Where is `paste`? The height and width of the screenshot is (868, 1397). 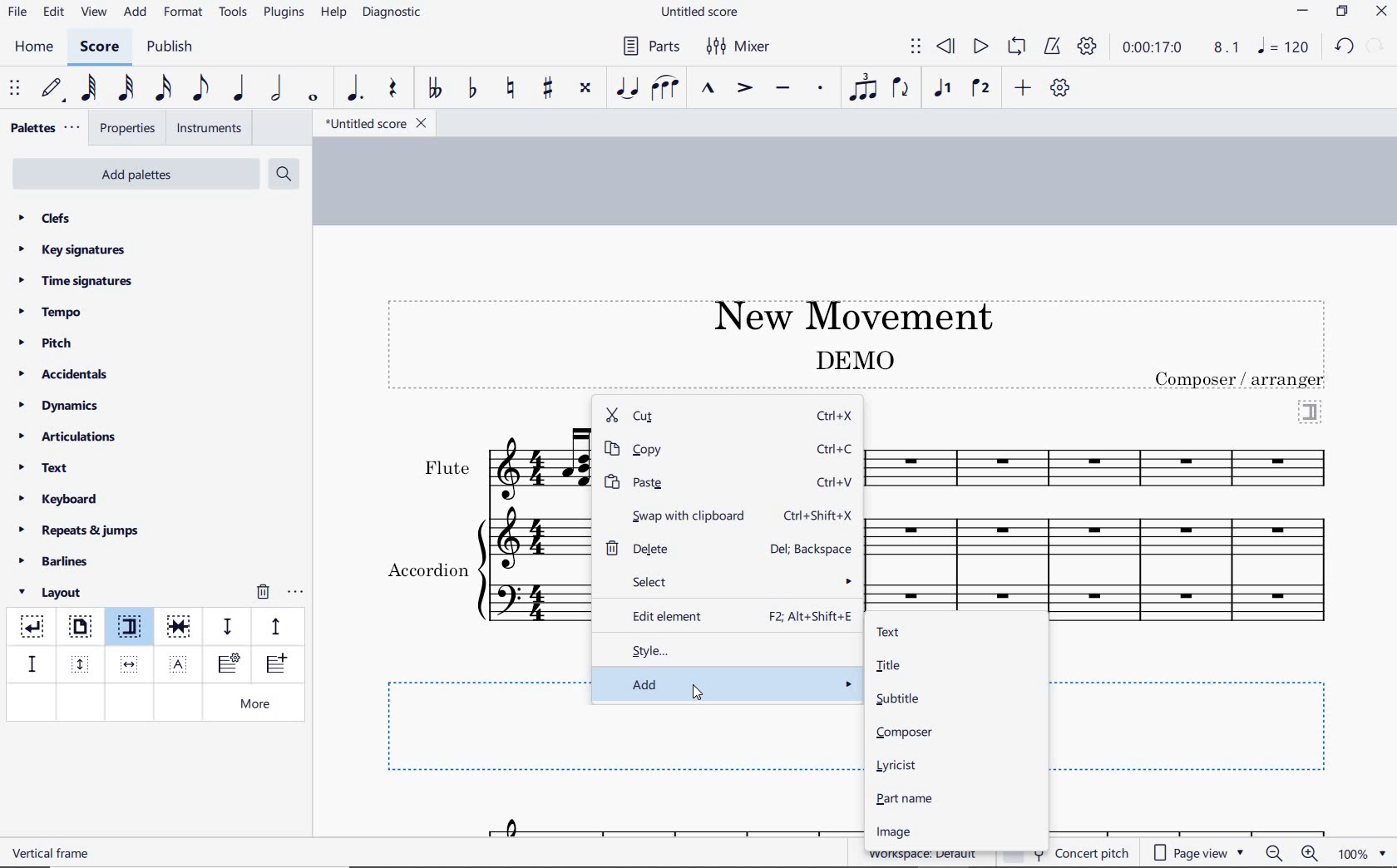
paste is located at coordinates (691, 482).